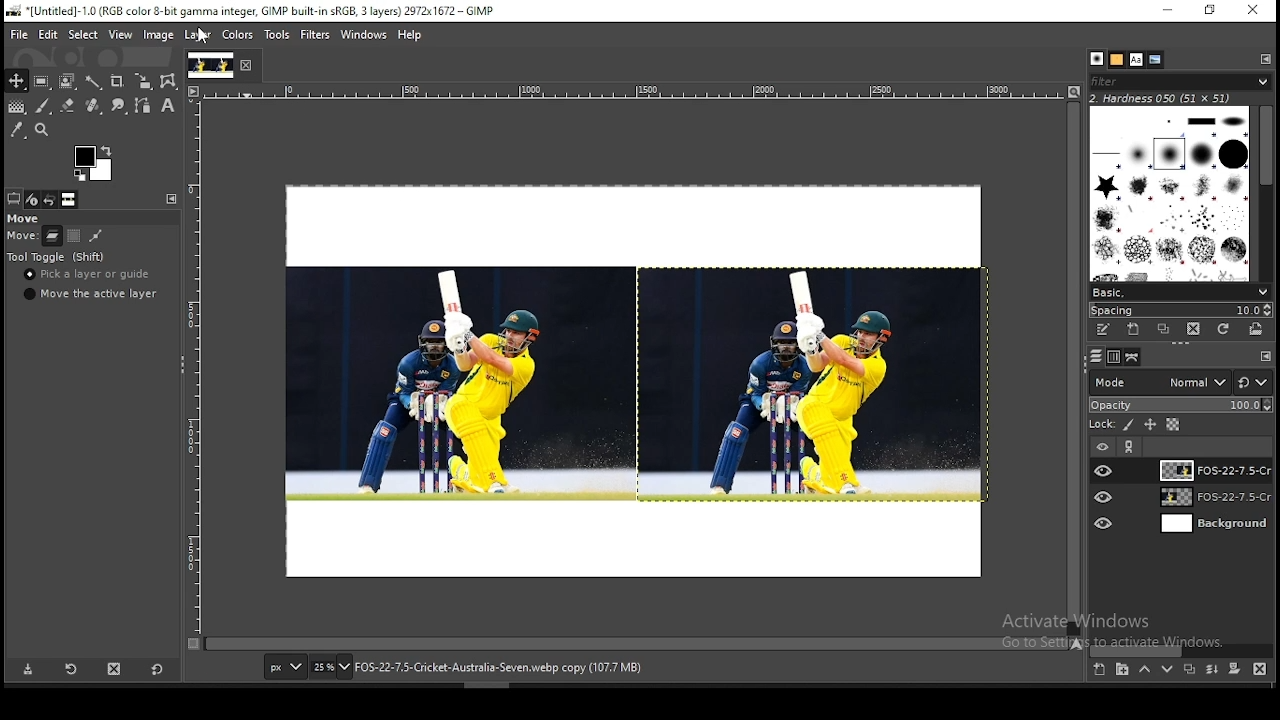 The height and width of the screenshot is (720, 1280). I want to click on tools, so click(280, 35).